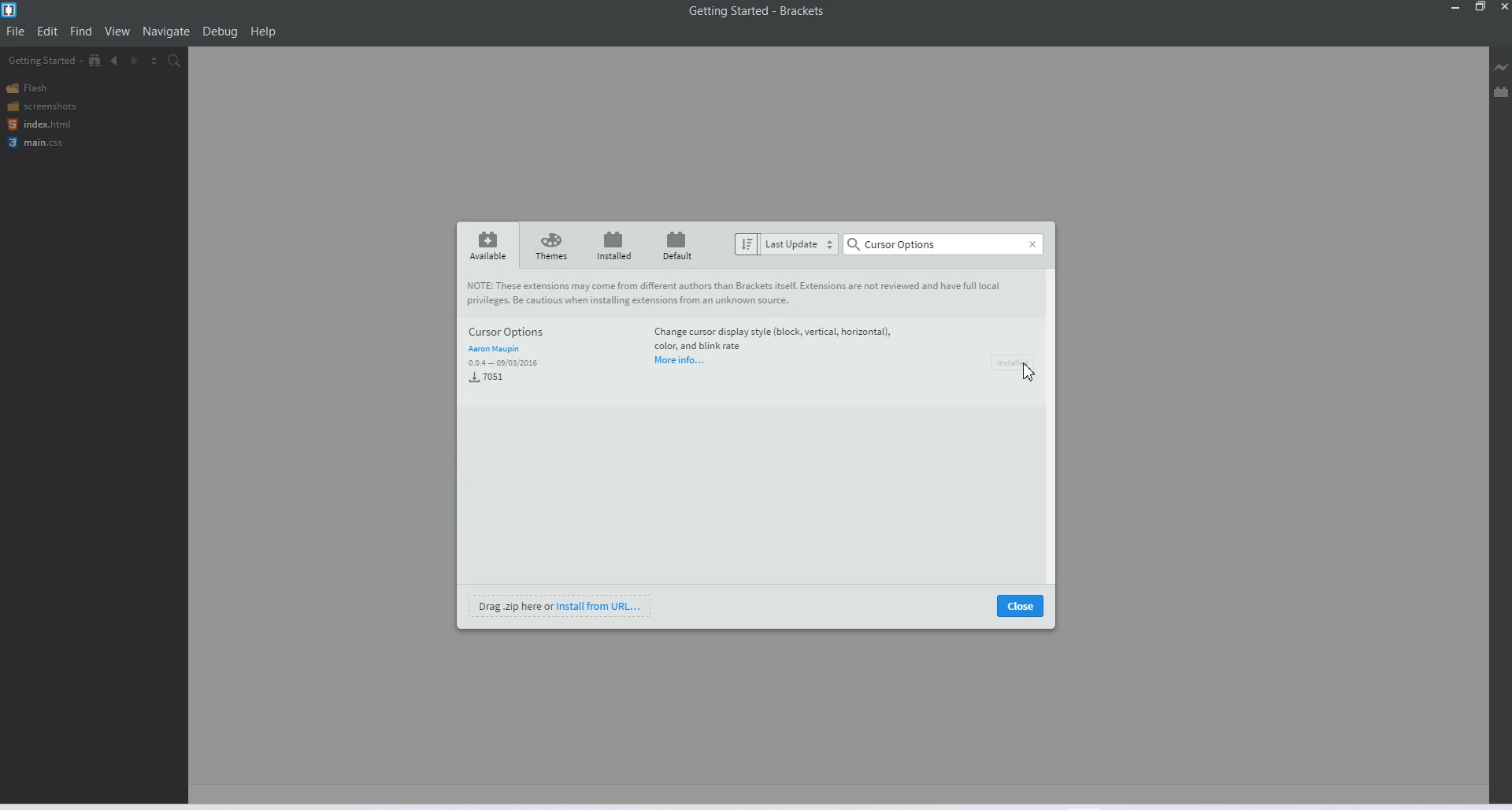 The image size is (1512, 810). Describe the element at coordinates (45, 60) in the screenshot. I see `Getting Started` at that location.